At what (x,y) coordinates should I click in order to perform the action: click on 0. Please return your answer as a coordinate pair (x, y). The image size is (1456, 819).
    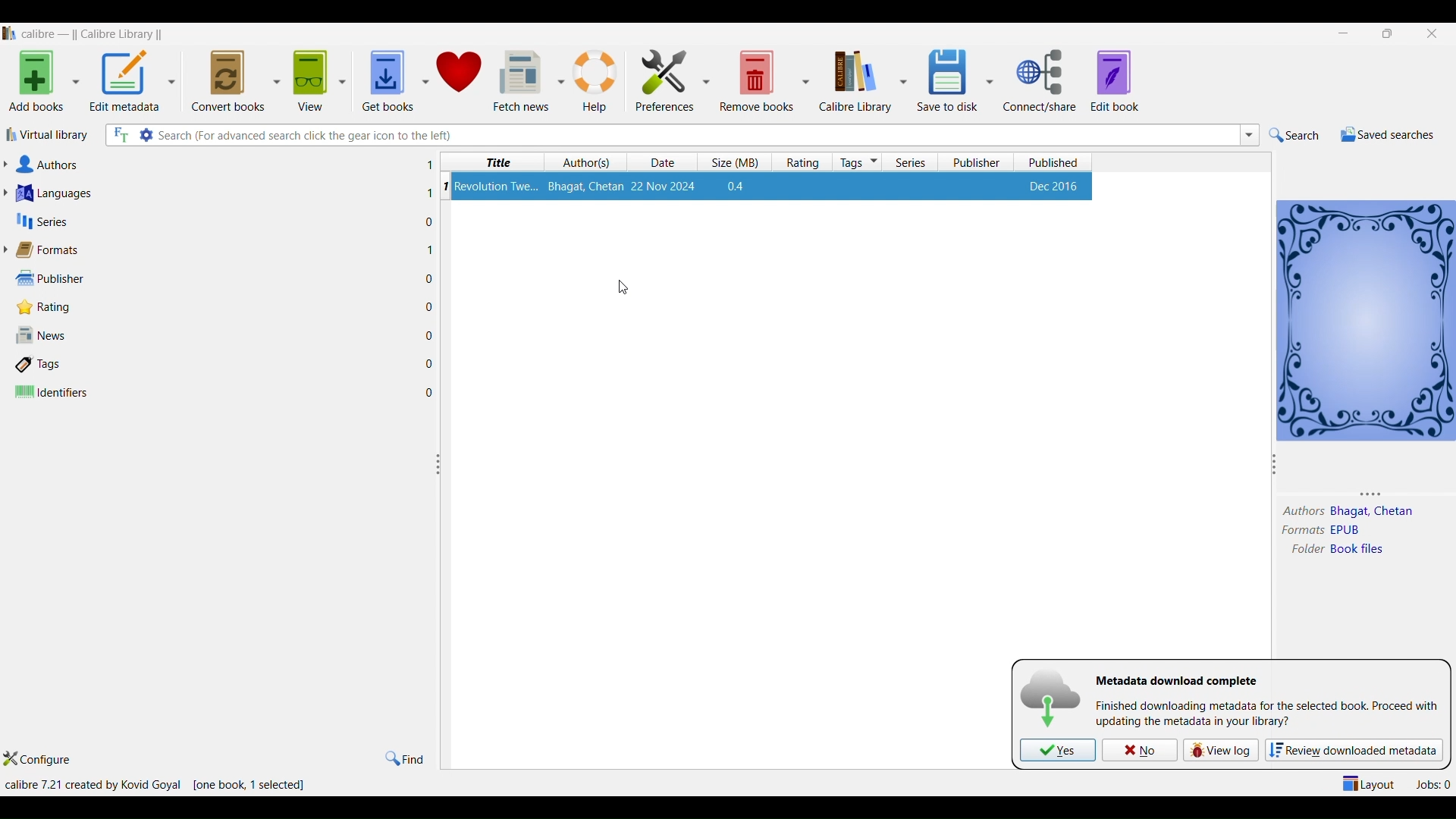
    Looking at the image, I should click on (430, 278).